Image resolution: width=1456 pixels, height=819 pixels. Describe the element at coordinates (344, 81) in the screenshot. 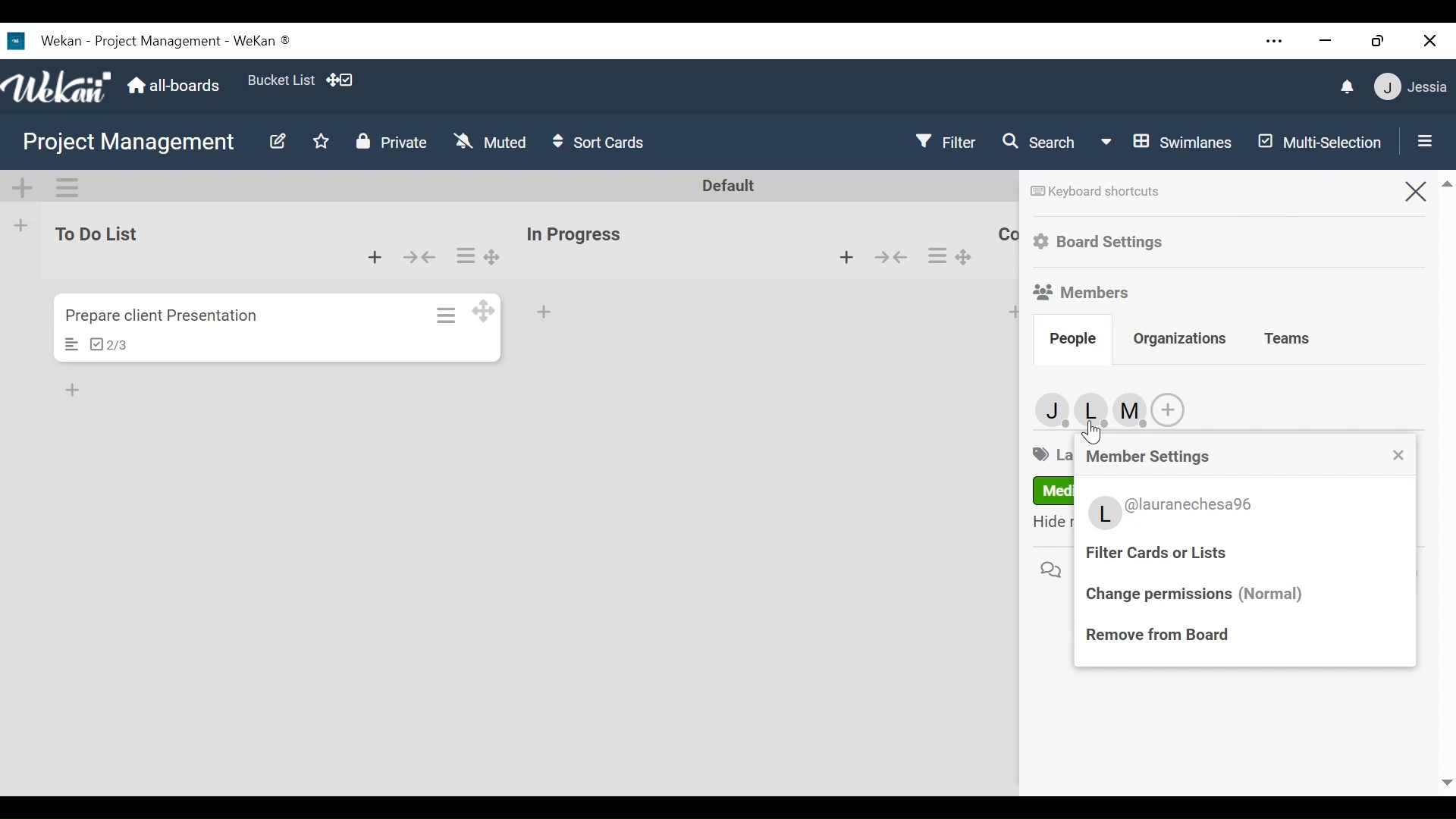

I see `Show desktop drag handles` at that location.